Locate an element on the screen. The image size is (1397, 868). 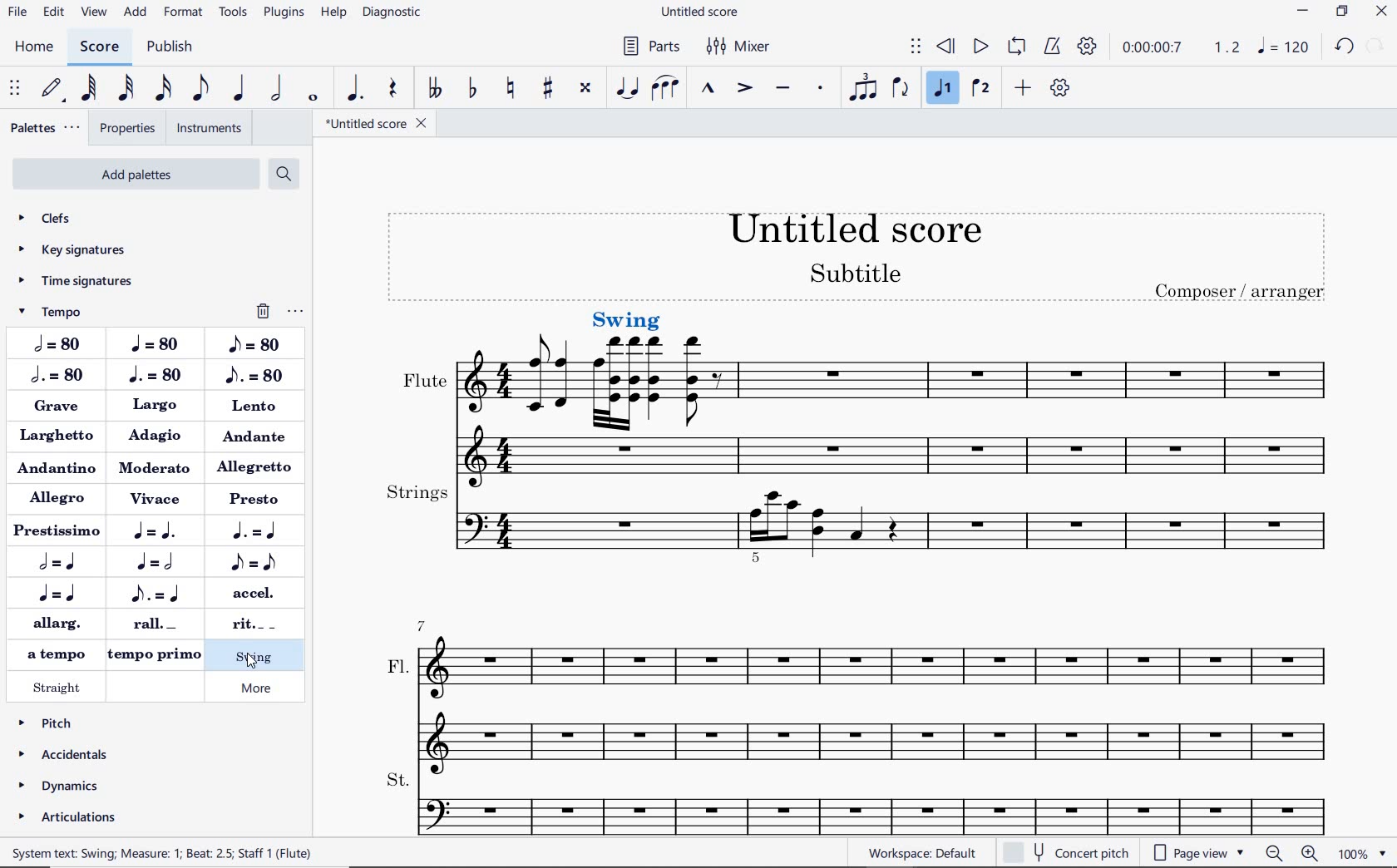
dynamics is located at coordinates (64, 787).